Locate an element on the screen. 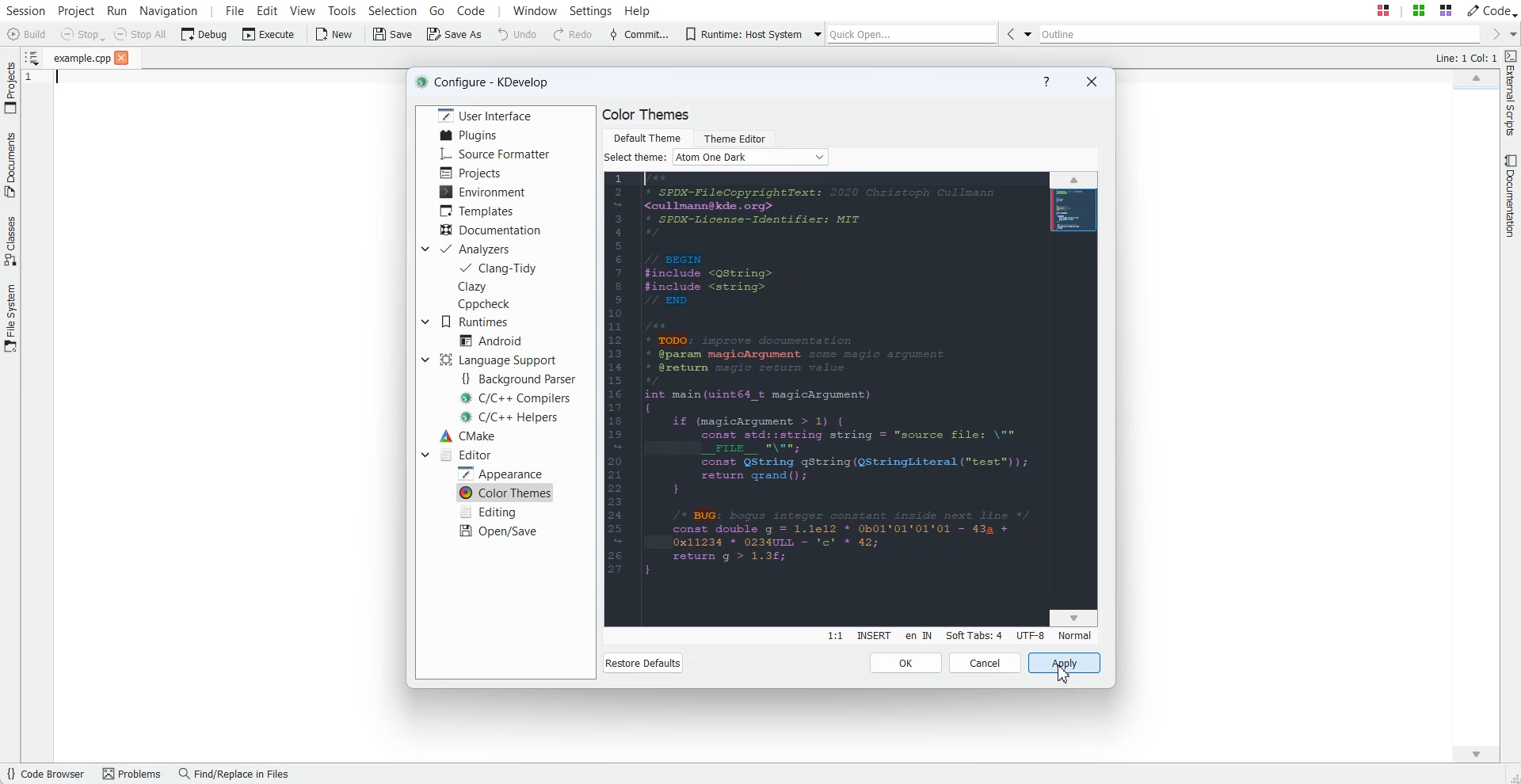 The height and width of the screenshot is (784, 1521). Environment is located at coordinates (485, 191).